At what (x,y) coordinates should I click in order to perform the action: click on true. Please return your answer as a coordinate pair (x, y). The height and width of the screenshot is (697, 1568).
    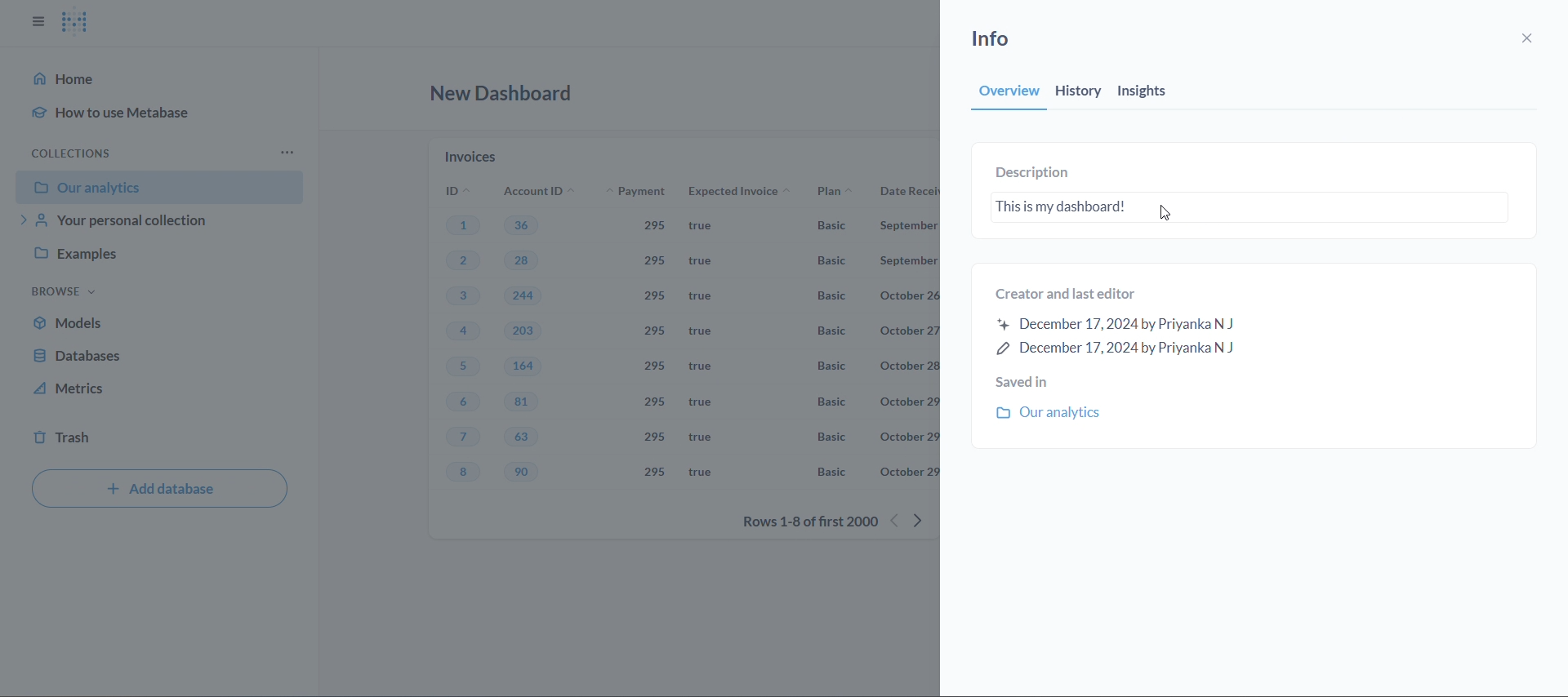
    Looking at the image, I should click on (707, 297).